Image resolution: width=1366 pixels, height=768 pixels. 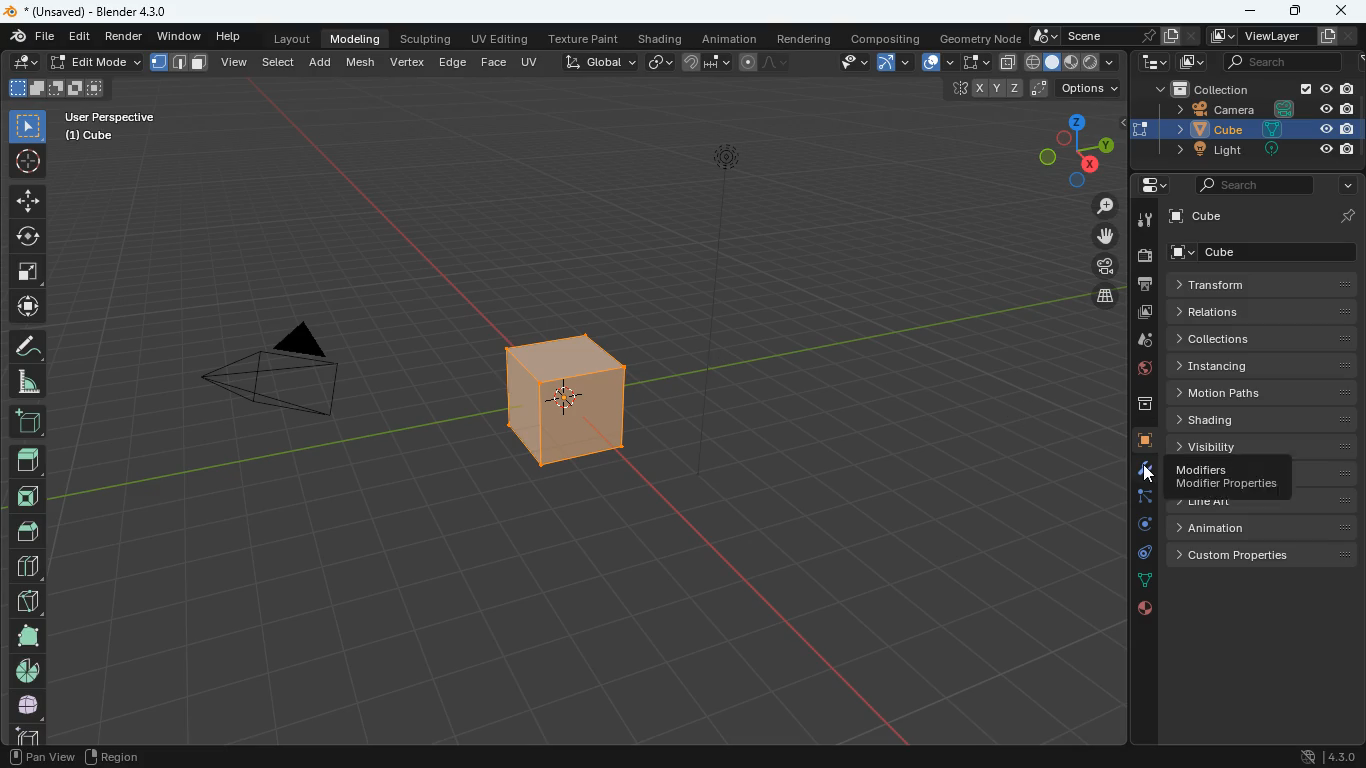 What do you see at coordinates (27, 533) in the screenshot?
I see `roof` at bounding box center [27, 533].